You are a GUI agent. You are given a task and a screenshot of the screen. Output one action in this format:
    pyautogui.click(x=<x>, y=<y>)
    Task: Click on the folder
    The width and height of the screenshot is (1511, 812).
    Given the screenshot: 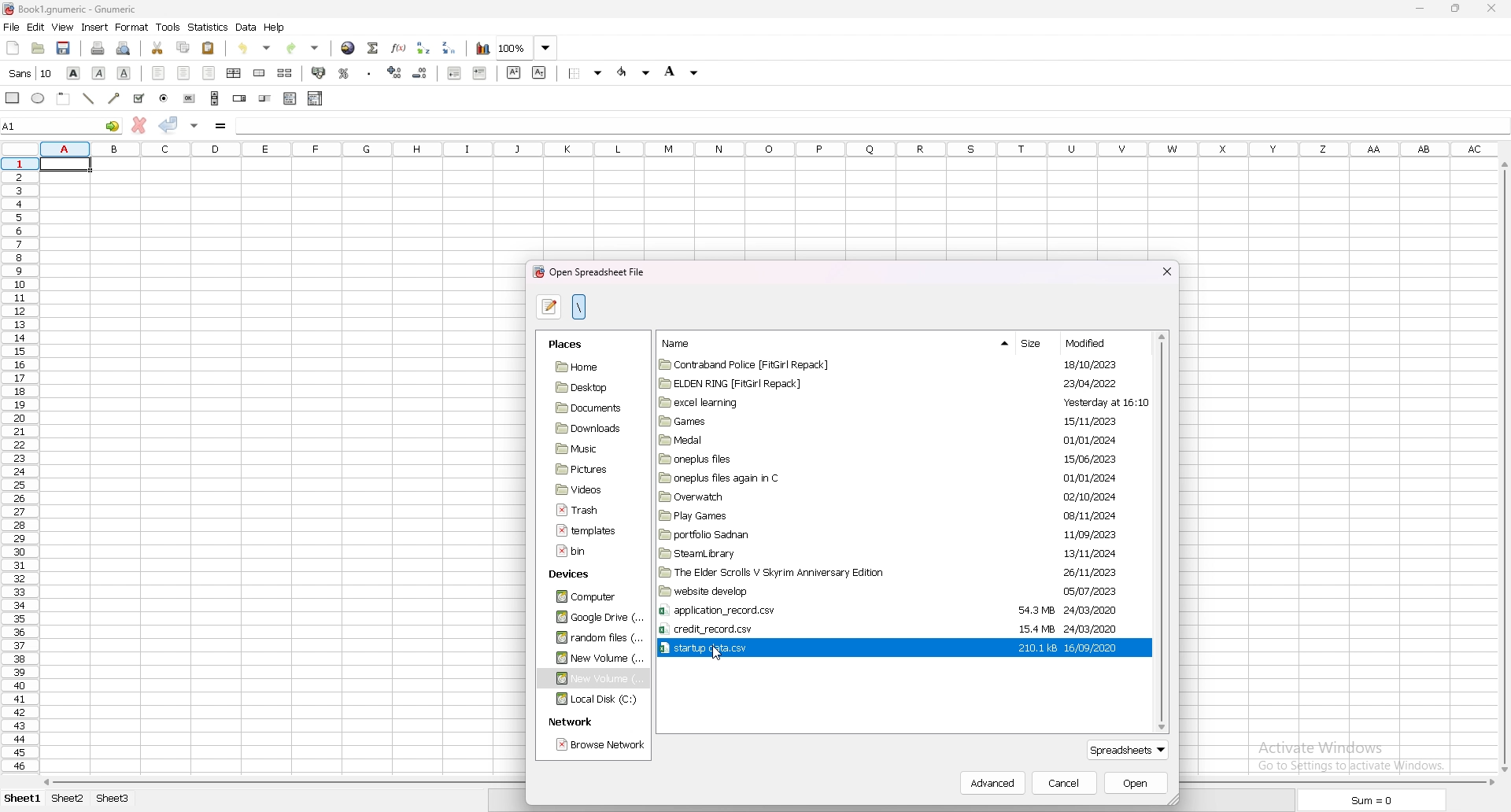 What is the action you would take?
    pyautogui.click(x=828, y=534)
    